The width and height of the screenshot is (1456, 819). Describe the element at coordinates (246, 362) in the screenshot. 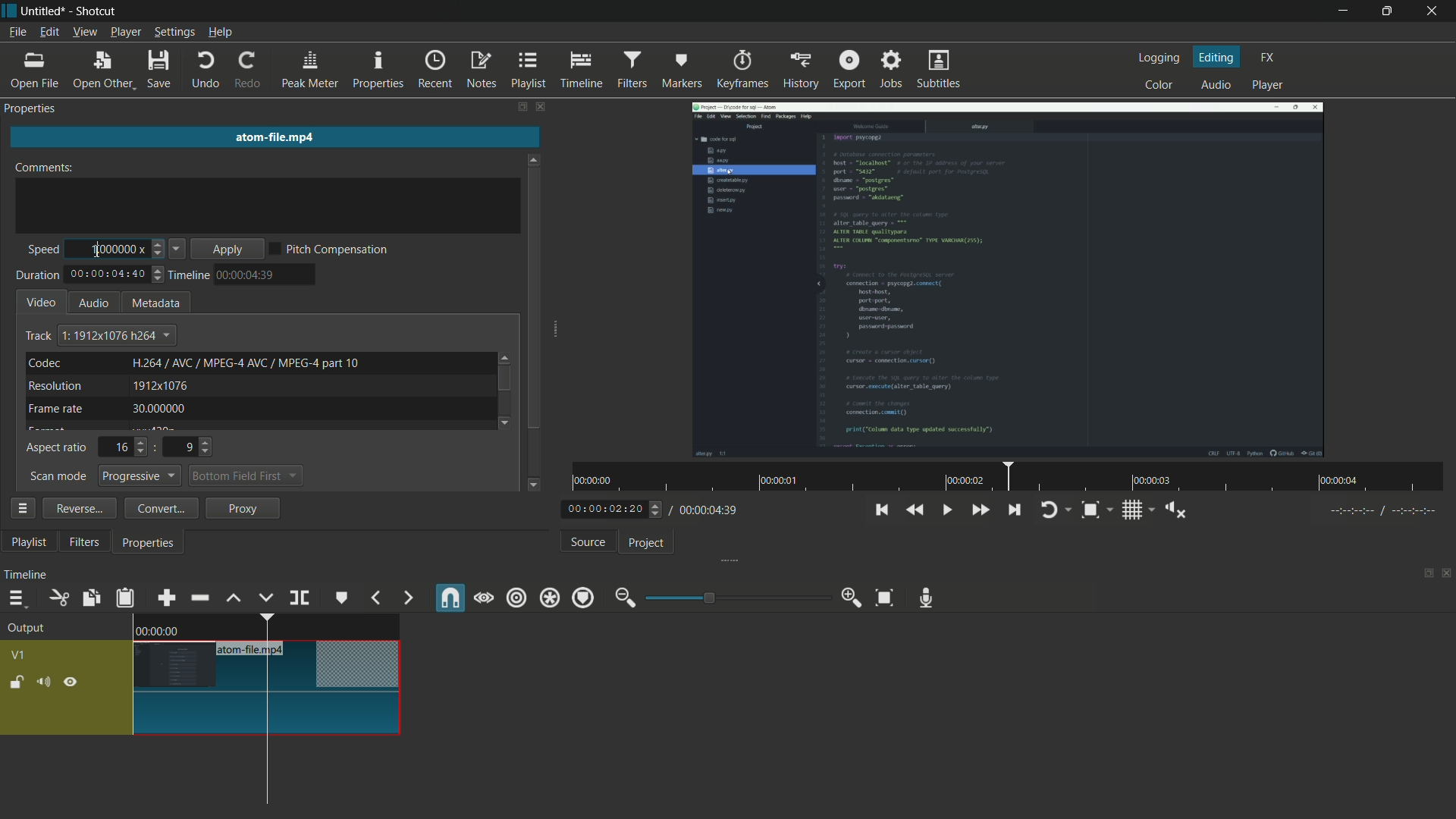

I see `text` at that location.